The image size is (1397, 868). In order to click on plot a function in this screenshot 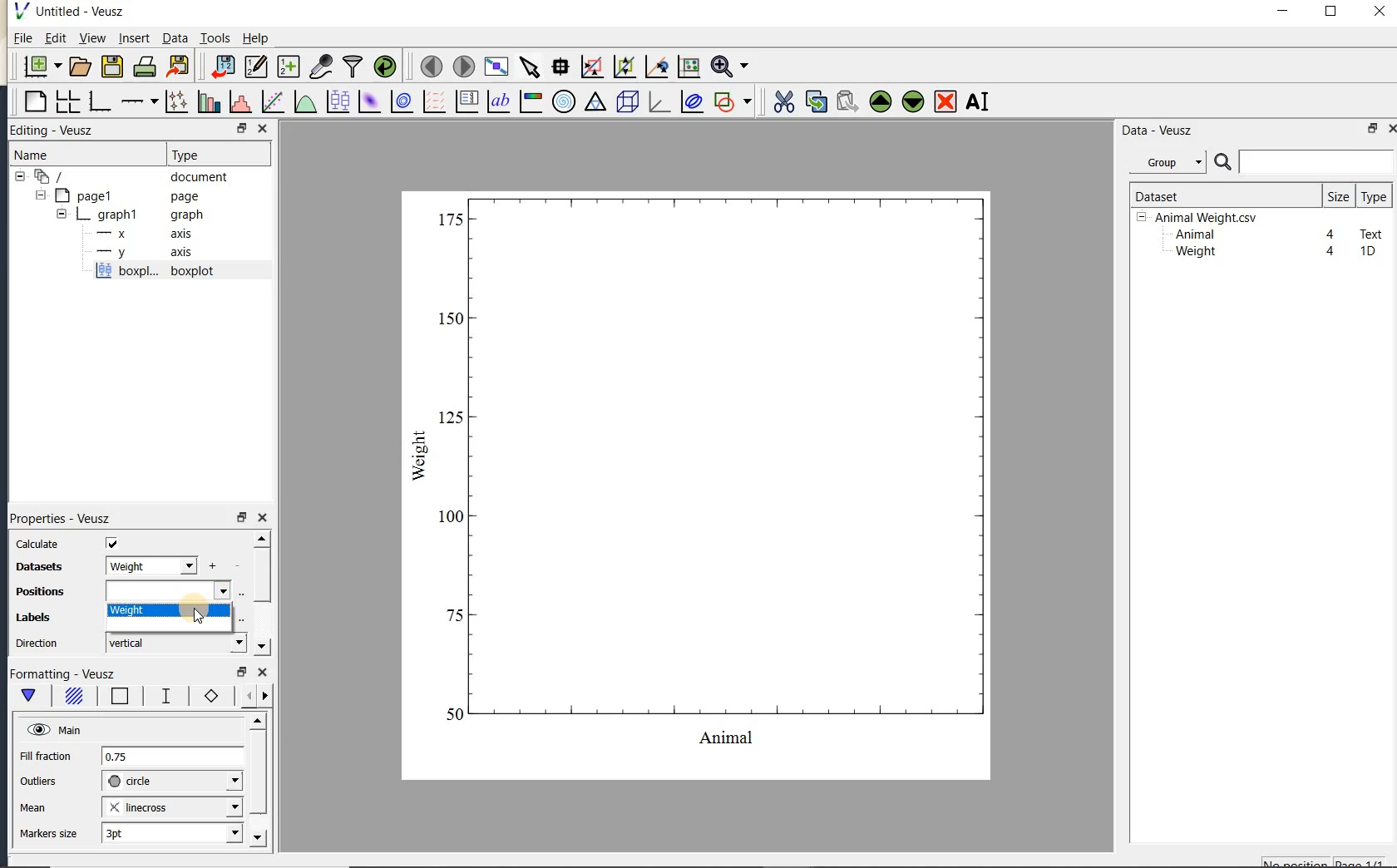, I will do `click(304, 104)`.